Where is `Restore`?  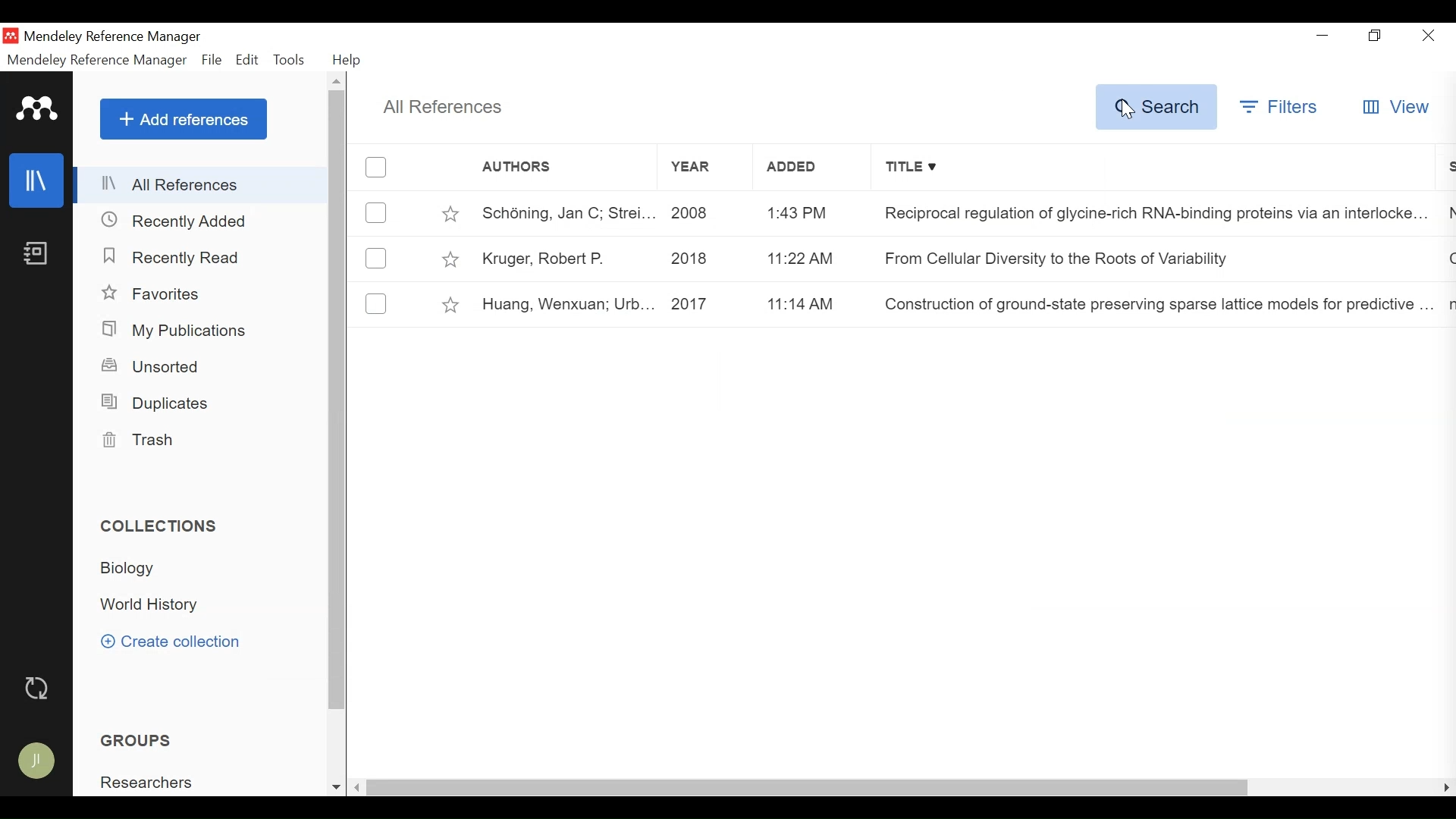
Restore is located at coordinates (1375, 35).